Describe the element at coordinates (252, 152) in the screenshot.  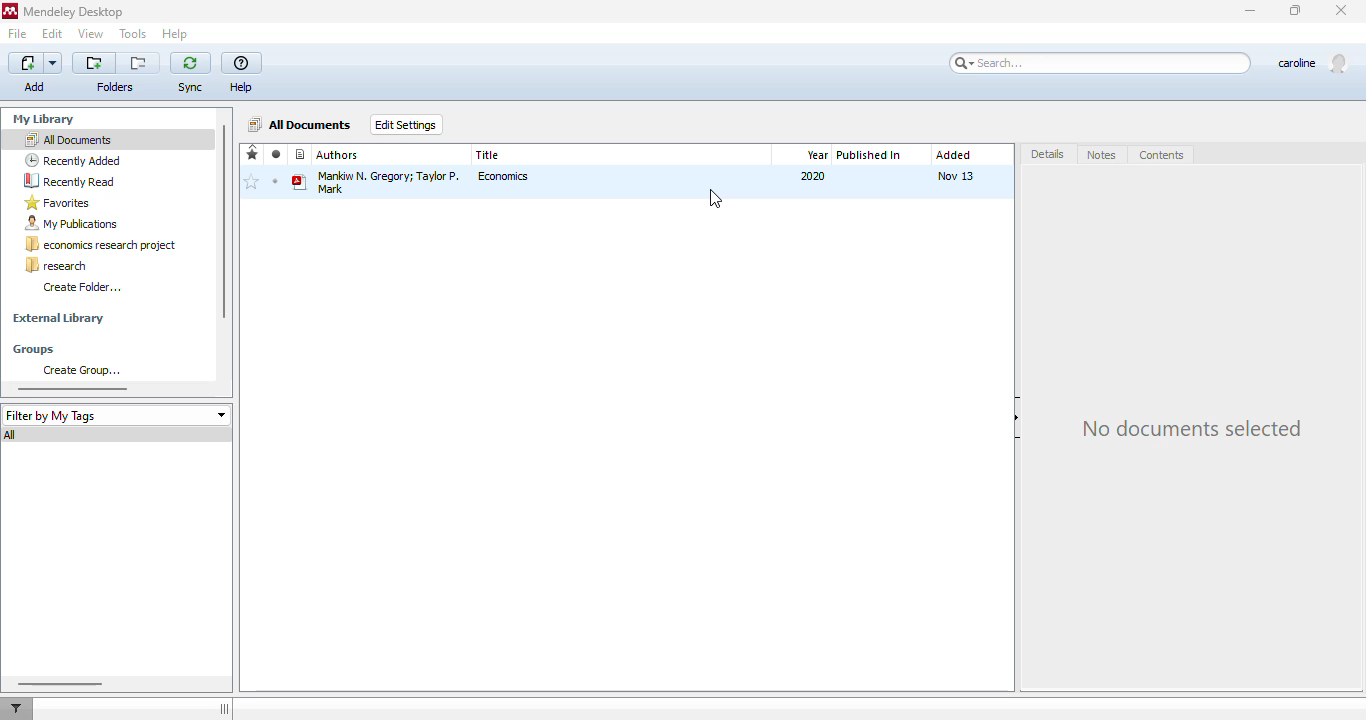
I see `favorites` at that location.